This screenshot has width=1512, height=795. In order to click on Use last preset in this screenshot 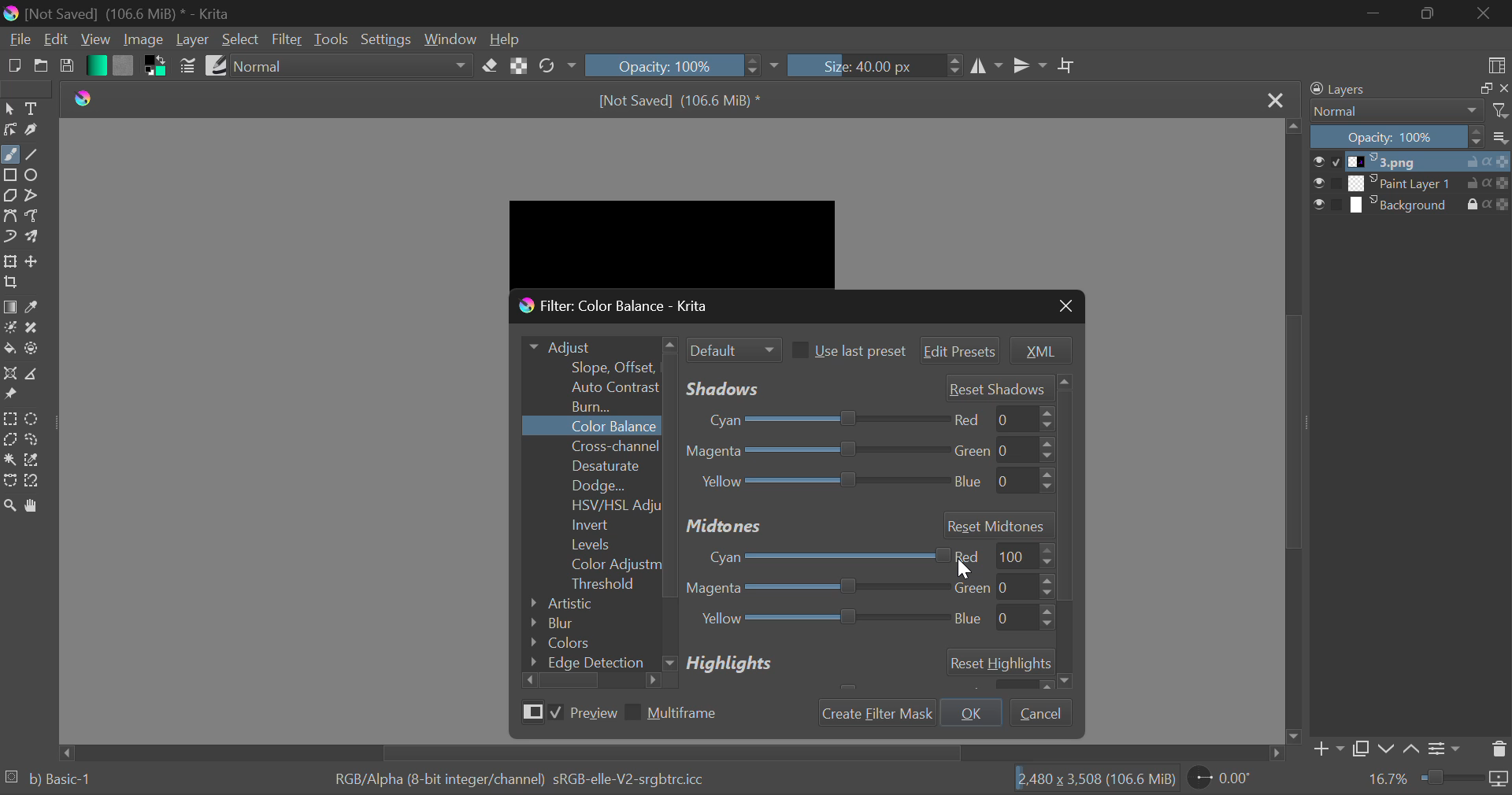, I will do `click(847, 350)`.